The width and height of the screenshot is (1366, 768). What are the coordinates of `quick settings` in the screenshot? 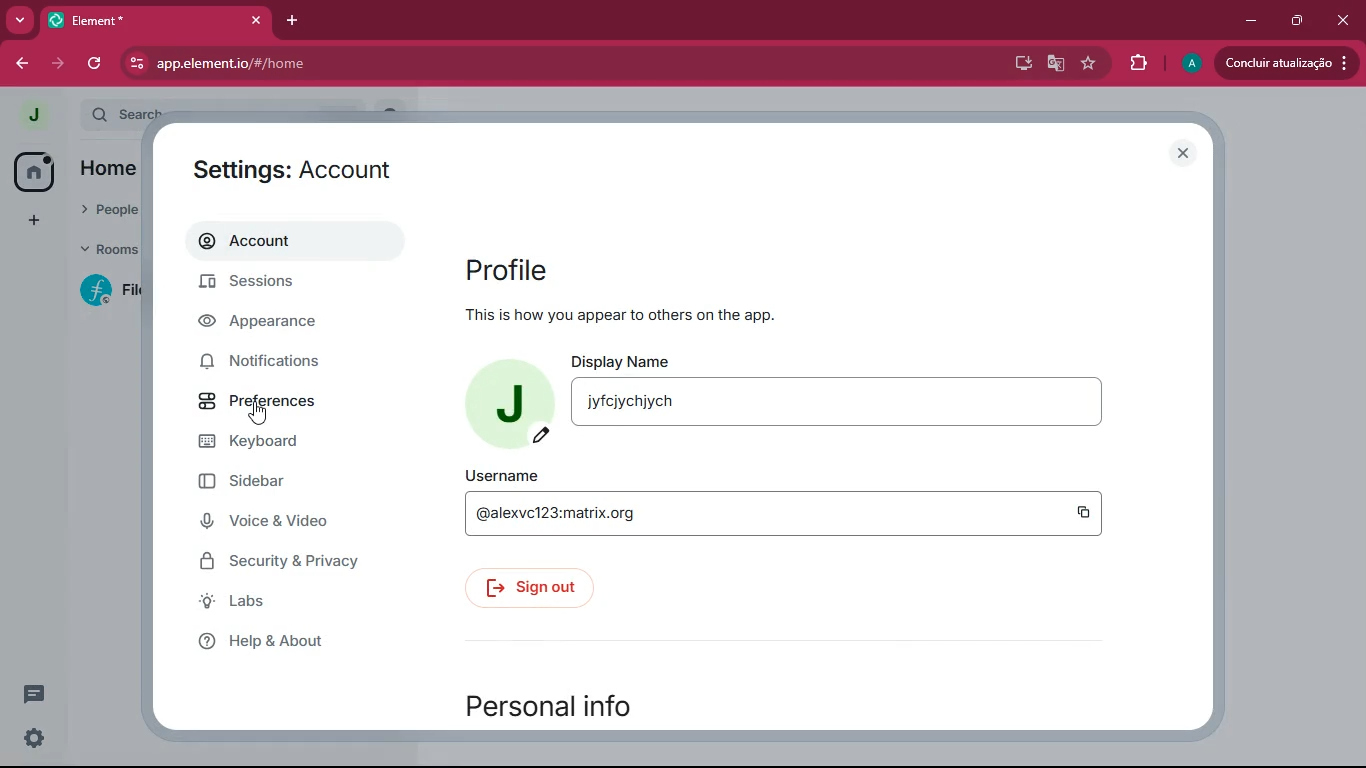 It's located at (32, 735).